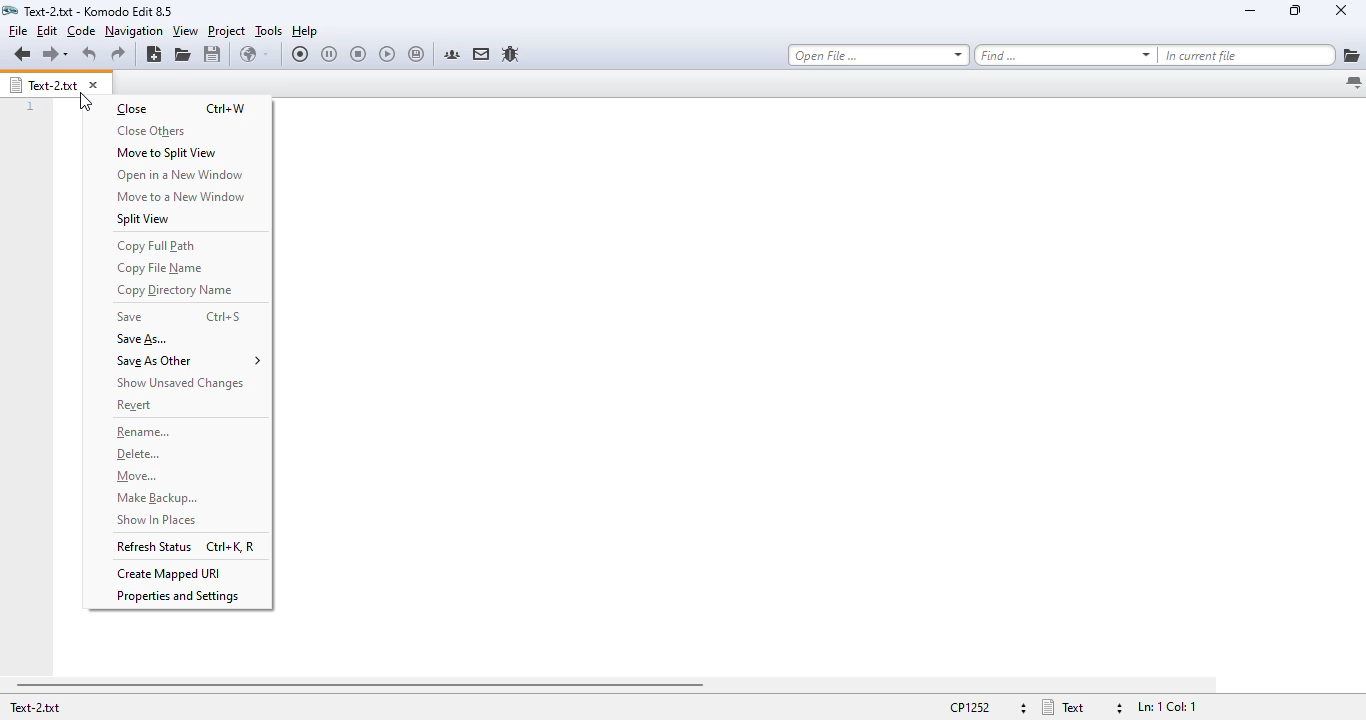  Describe the element at coordinates (145, 433) in the screenshot. I see `rename` at that location.